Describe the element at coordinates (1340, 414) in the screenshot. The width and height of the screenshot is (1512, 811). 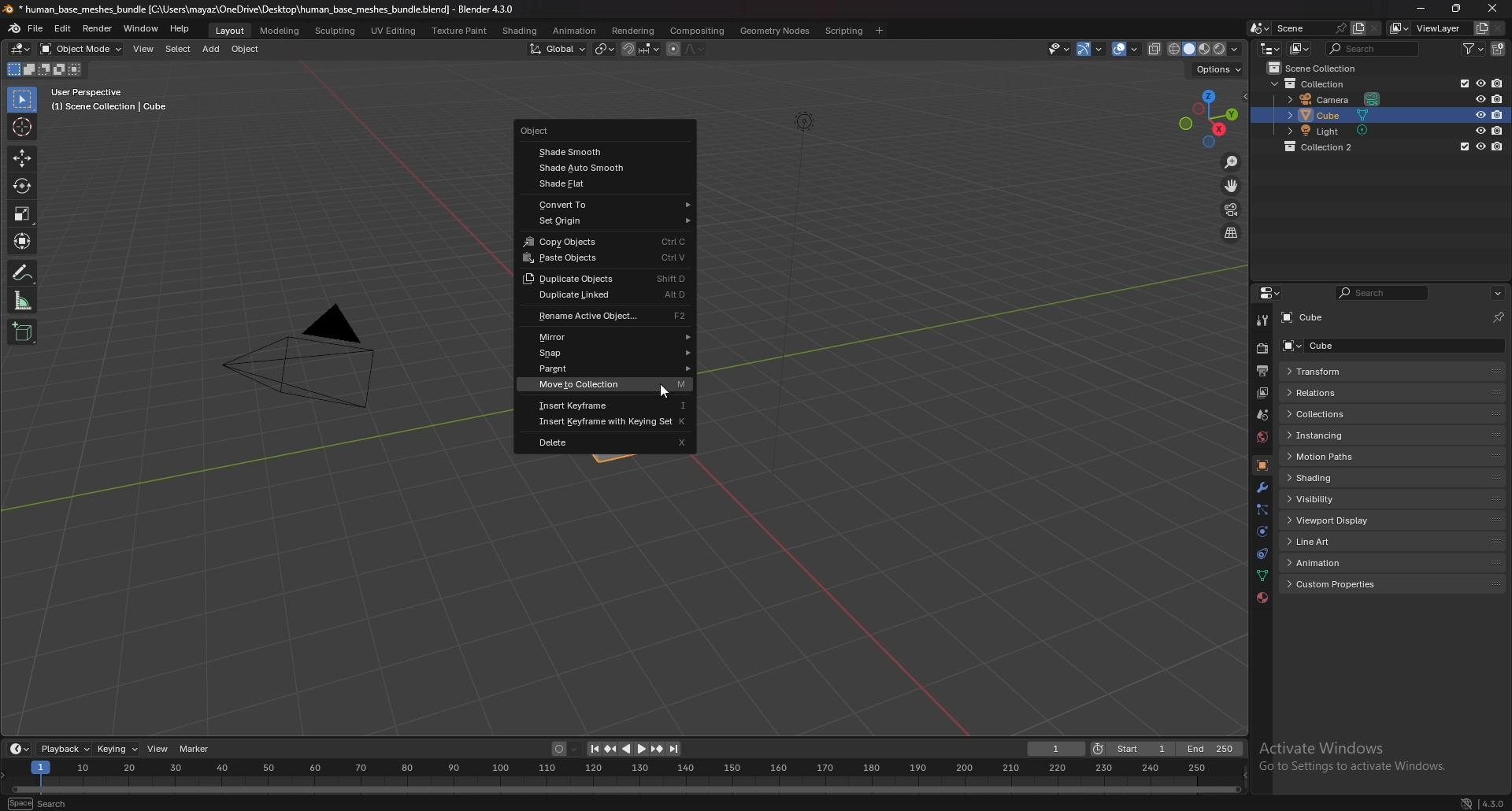
I see `collections` at that location.